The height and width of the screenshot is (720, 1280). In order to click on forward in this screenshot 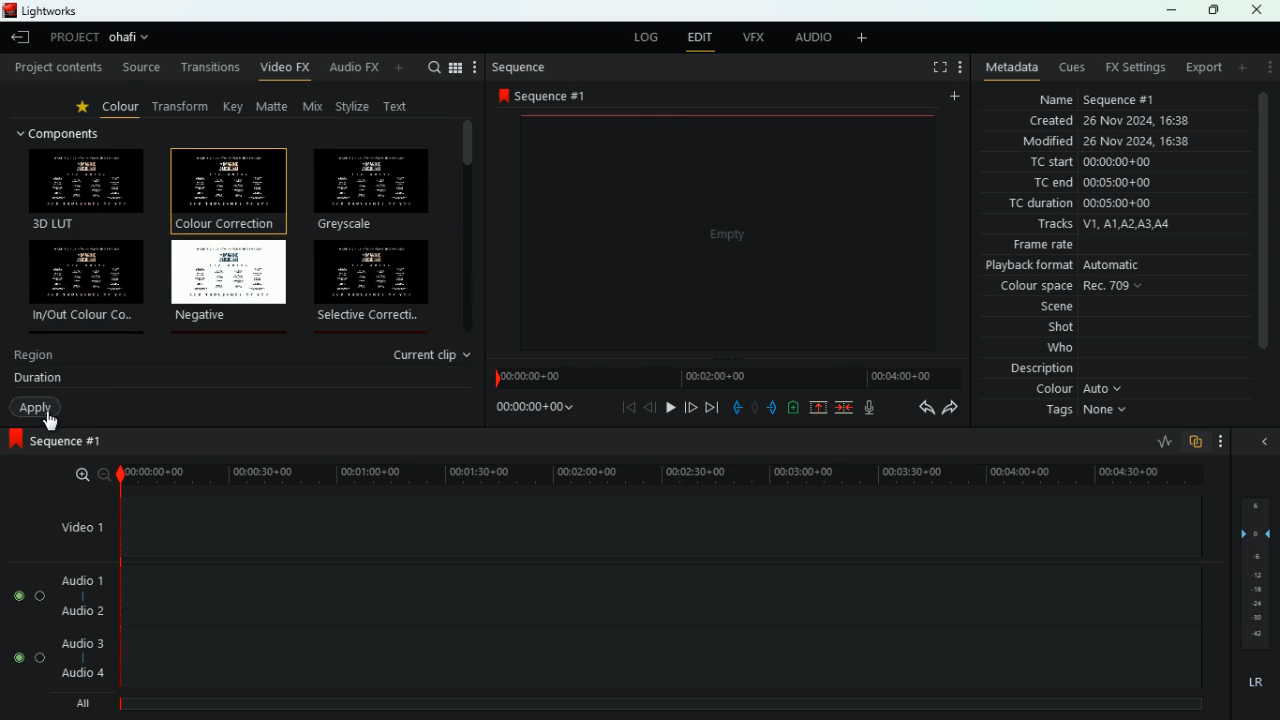, I will do `click(950, 409)`.